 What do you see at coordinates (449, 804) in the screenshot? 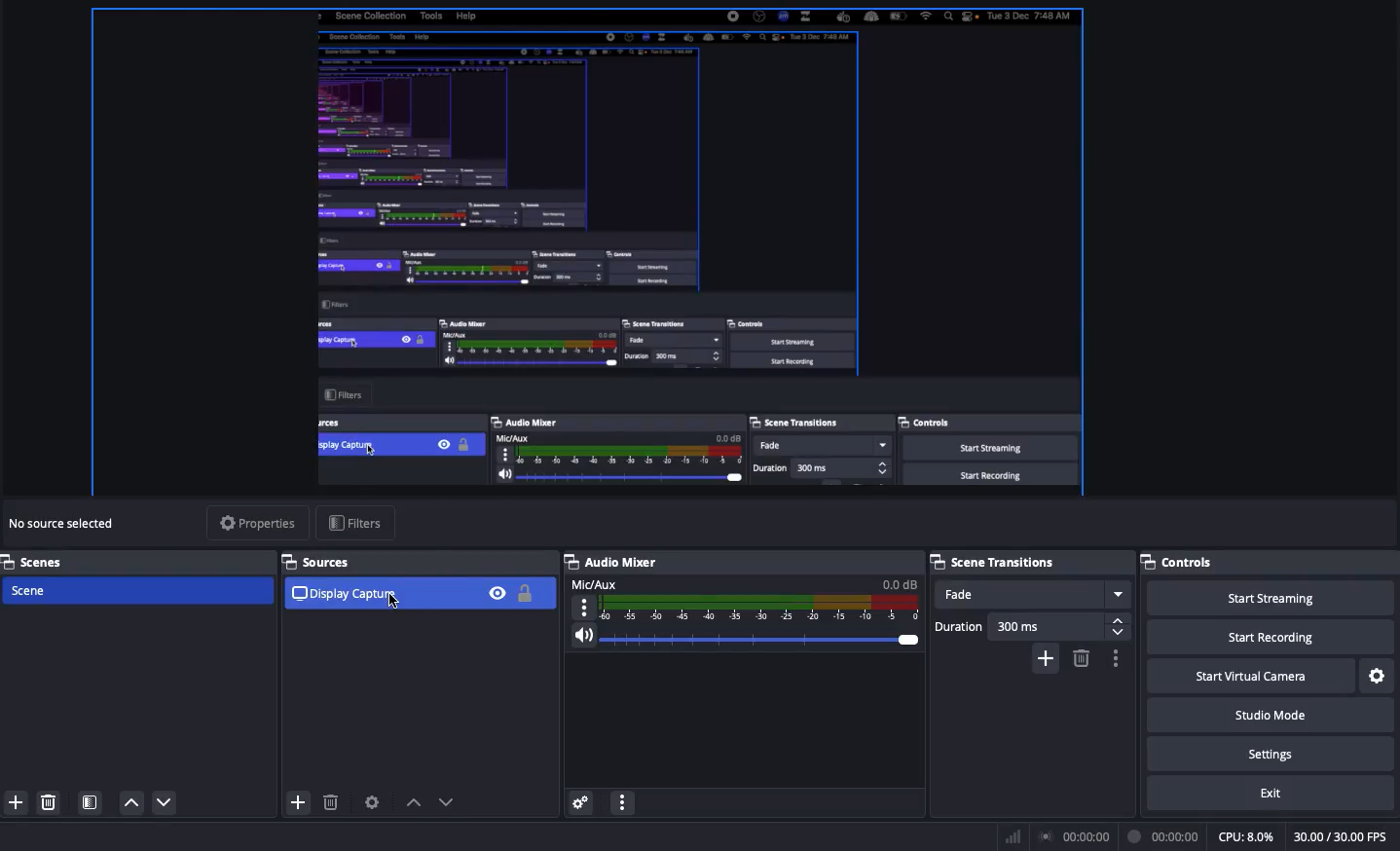
I see `move down` at bounding box center [449, 804].